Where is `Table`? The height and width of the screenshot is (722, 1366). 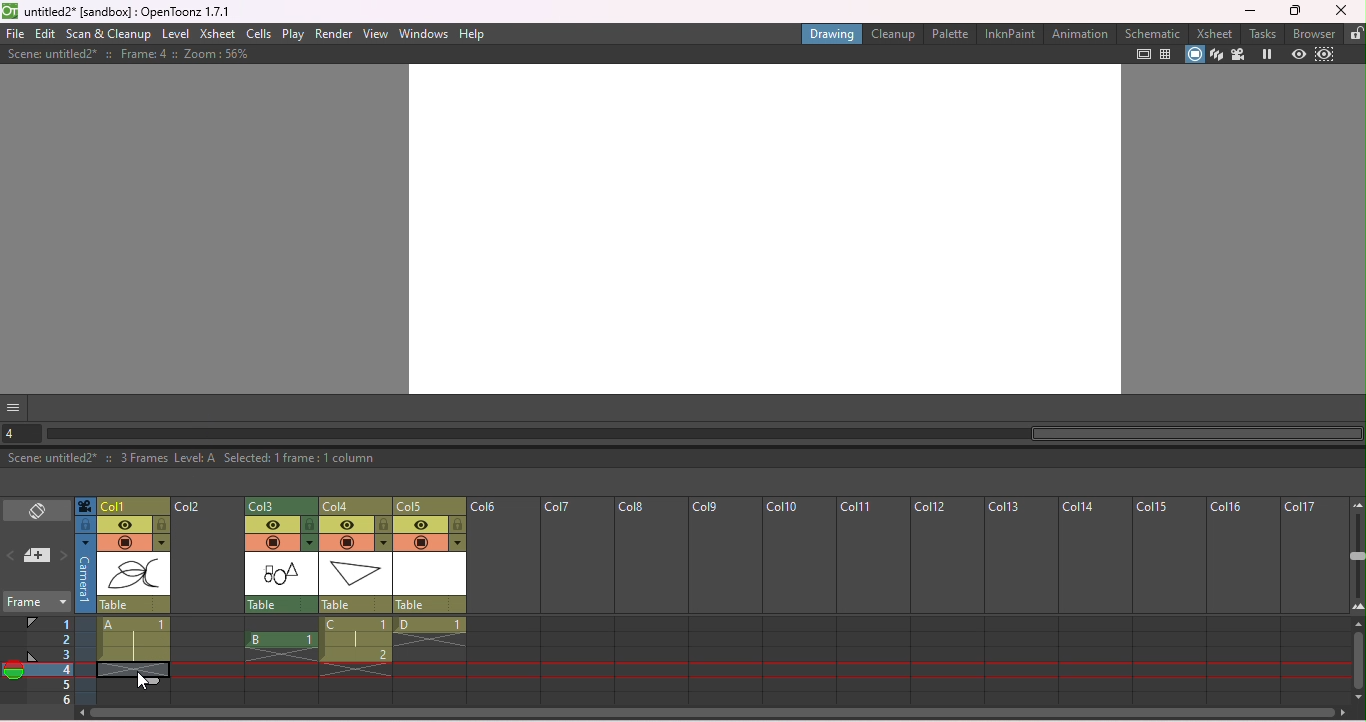
Table is located at coordinates (355, 604).